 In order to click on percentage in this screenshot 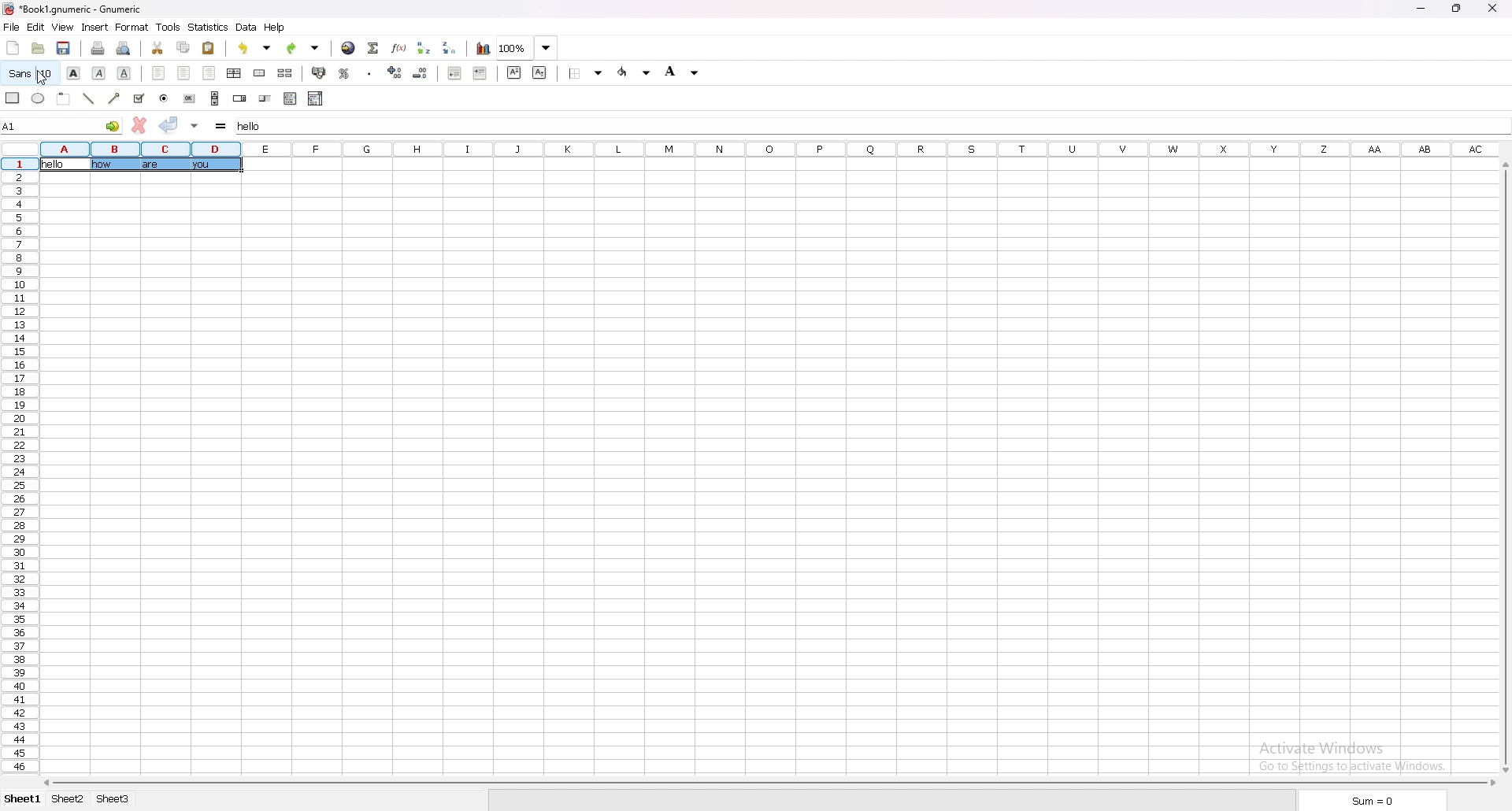, I will do `click(346, 72)`.